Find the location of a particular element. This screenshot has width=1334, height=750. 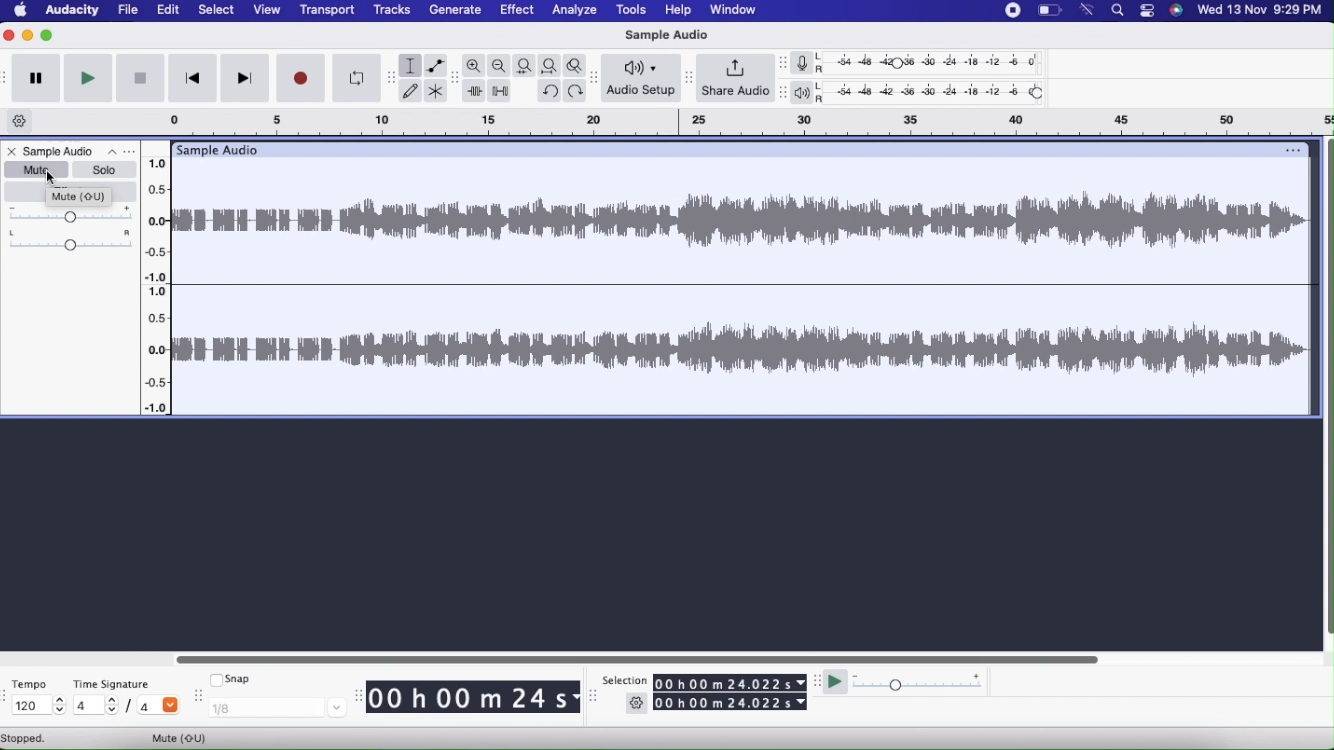

Adjust is located at coordinates (783, 63).